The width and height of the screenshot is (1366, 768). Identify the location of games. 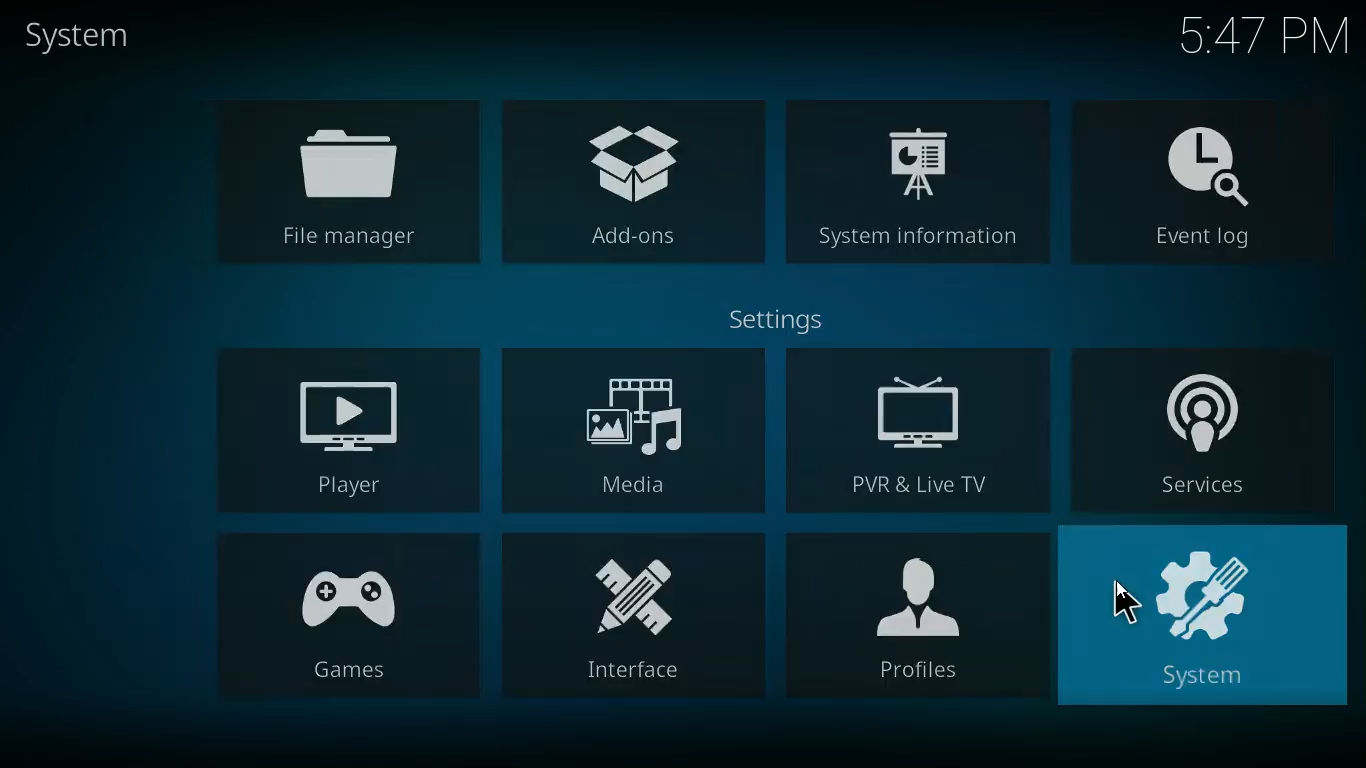
(351, 616).